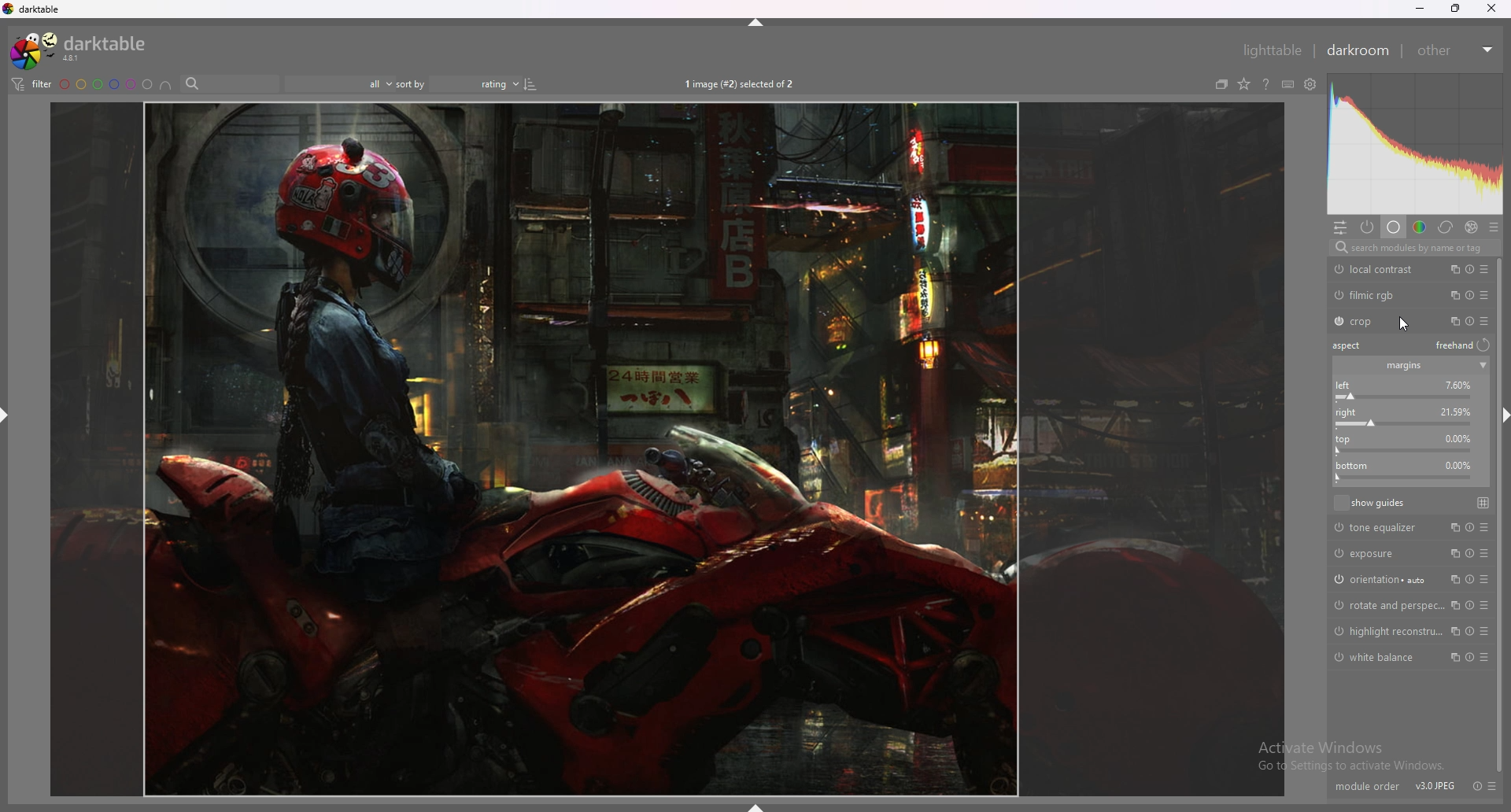 This screenshot has width=1511, height=812. Describe the element at coordinates (1493, 227) in the screenshot. I see `presets` at that location.